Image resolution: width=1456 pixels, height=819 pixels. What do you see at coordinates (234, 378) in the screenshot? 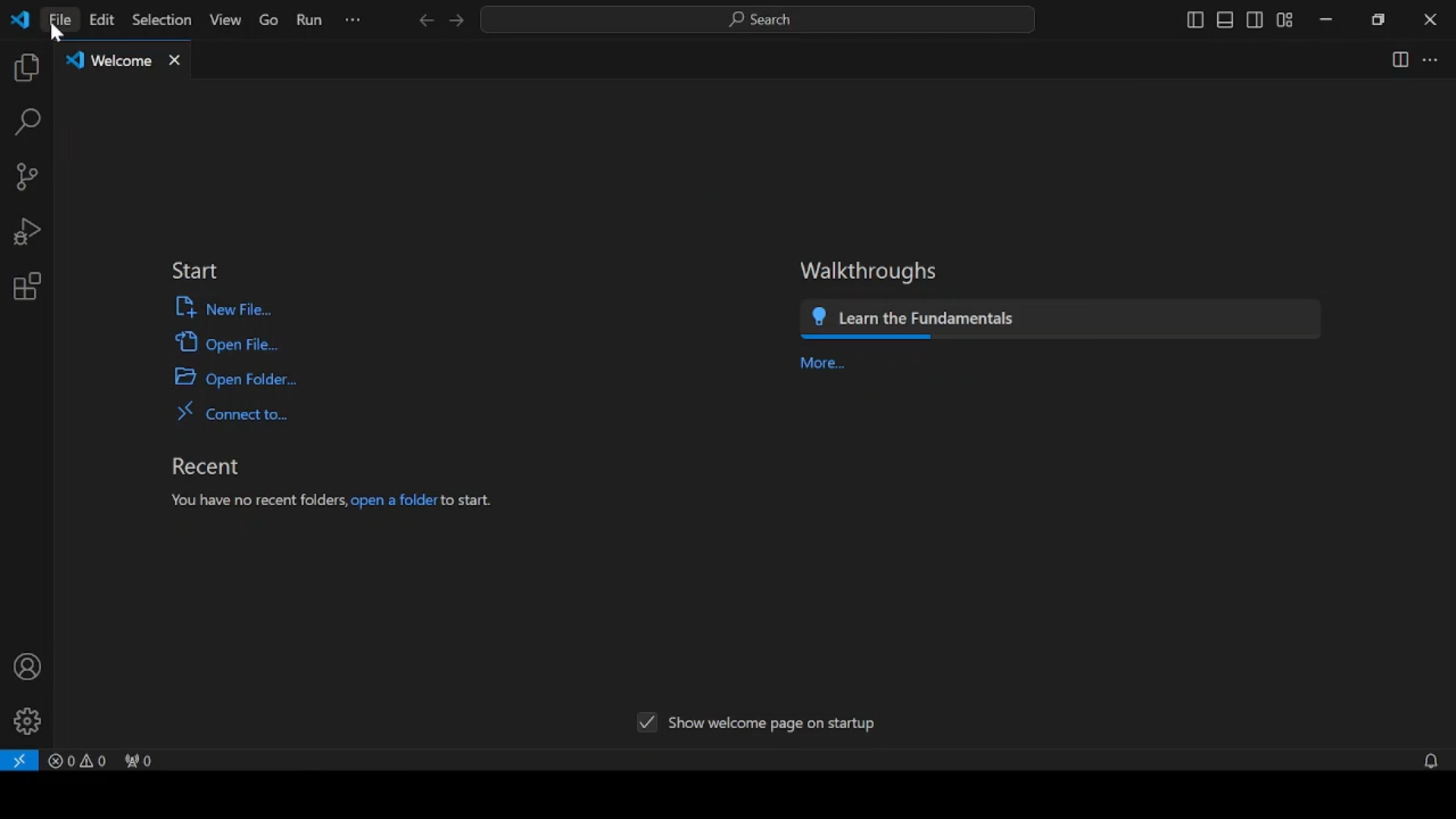
I see `open a folder` at bounding box center [234, 378].